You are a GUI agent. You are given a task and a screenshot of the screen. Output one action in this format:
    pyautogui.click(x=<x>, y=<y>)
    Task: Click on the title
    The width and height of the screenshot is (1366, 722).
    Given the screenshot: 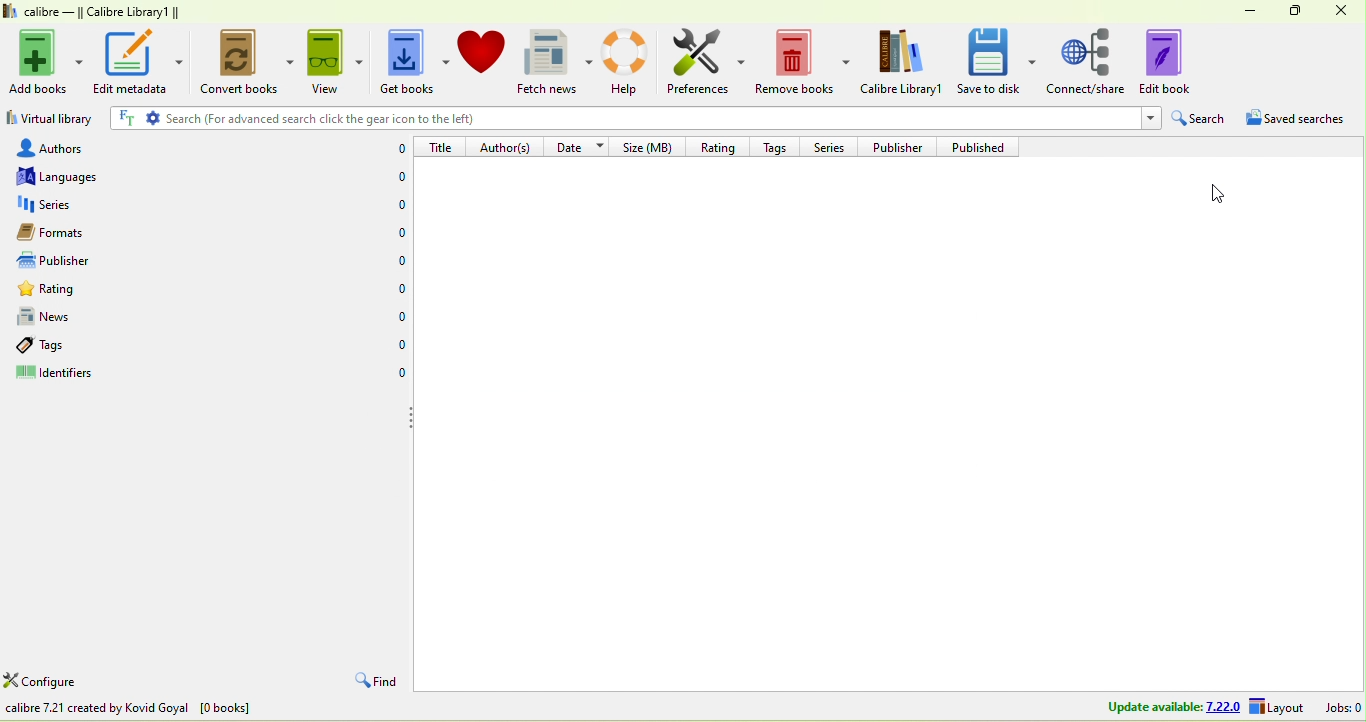 What is the action you would take?
    pyautogui.click(x=442, y=146)
    